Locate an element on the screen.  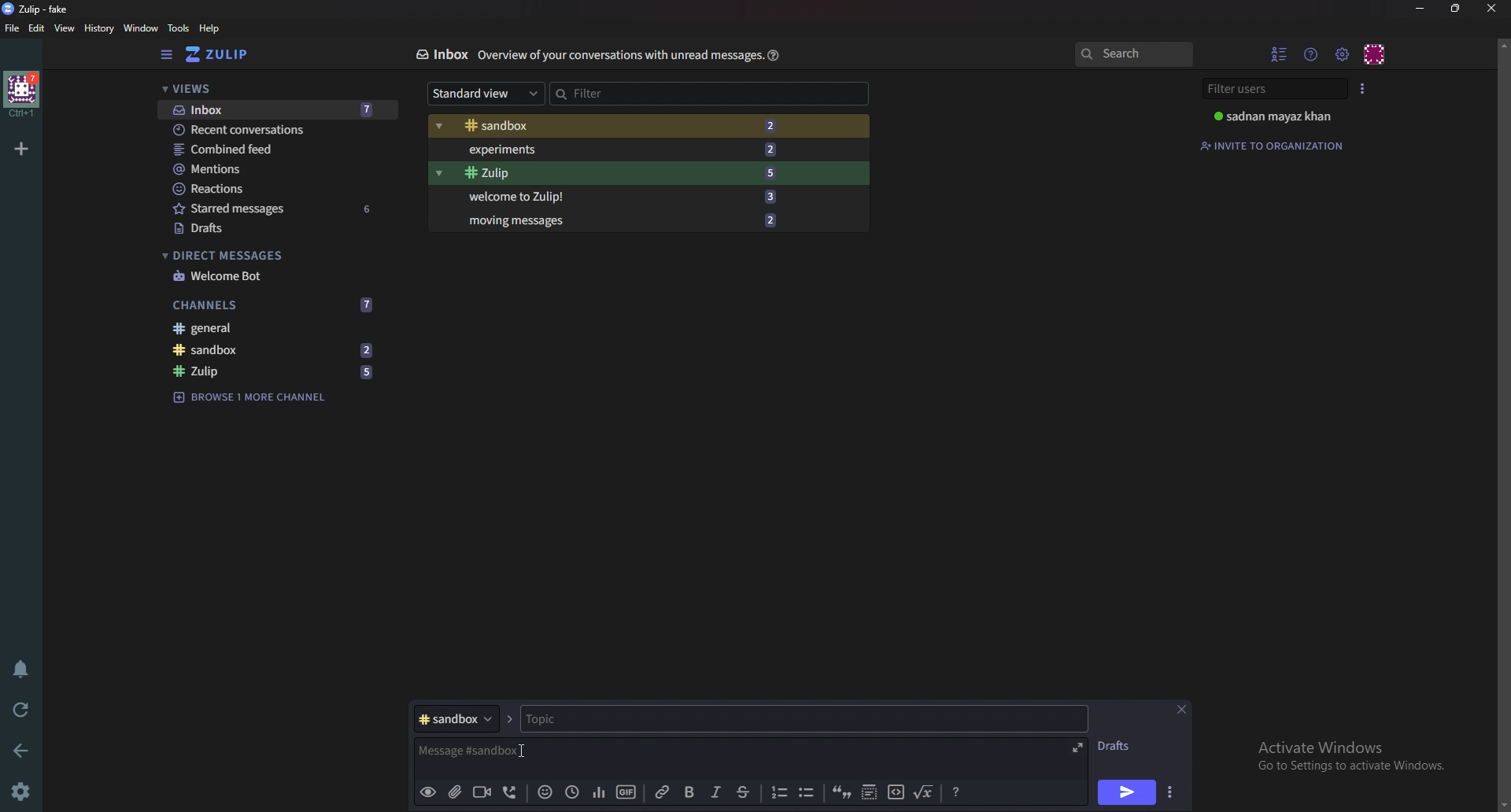
Strike through is located at coordinates (744, 792).